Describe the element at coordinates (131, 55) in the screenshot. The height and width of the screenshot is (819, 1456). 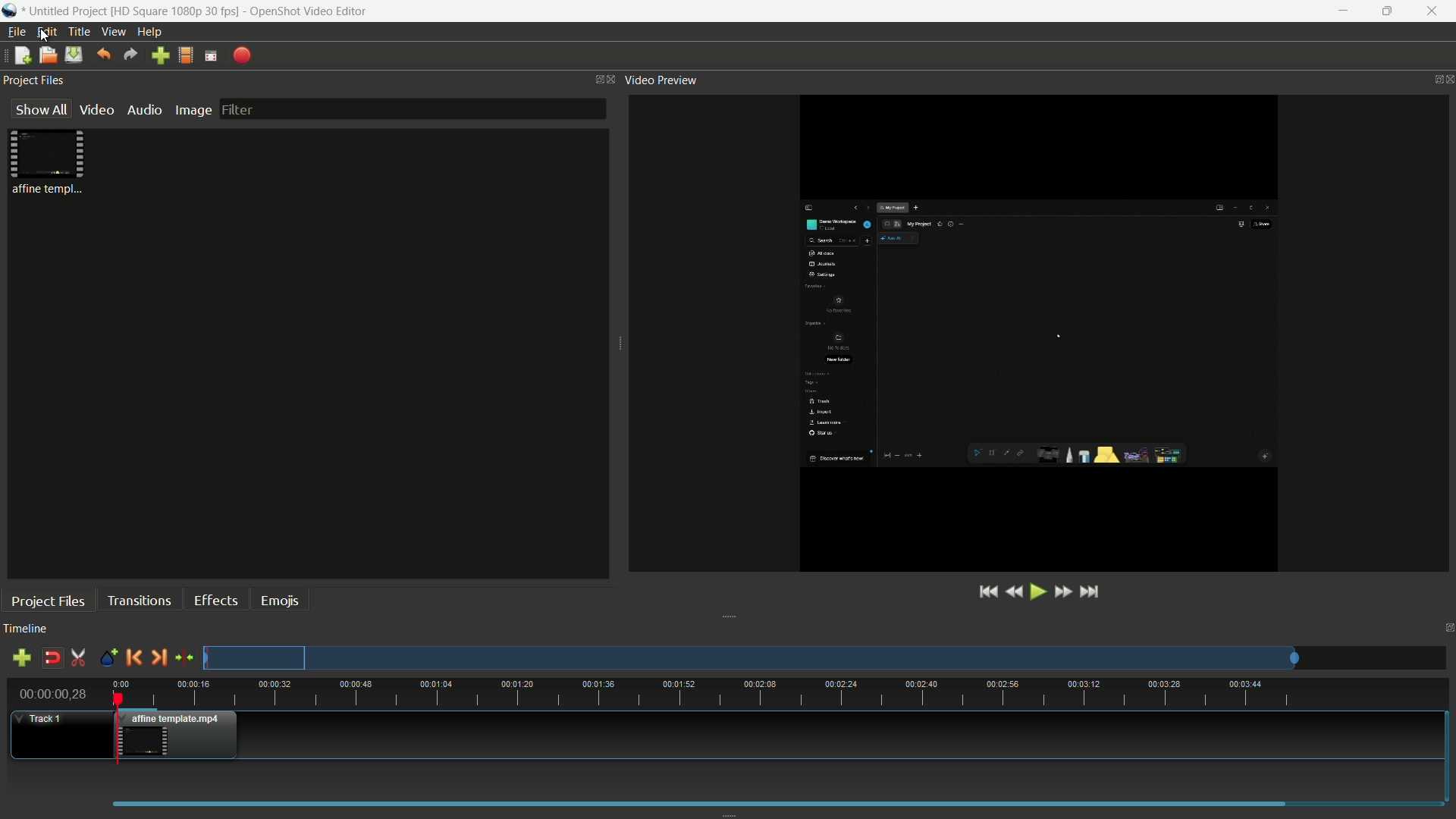
I see `redo` at that location.